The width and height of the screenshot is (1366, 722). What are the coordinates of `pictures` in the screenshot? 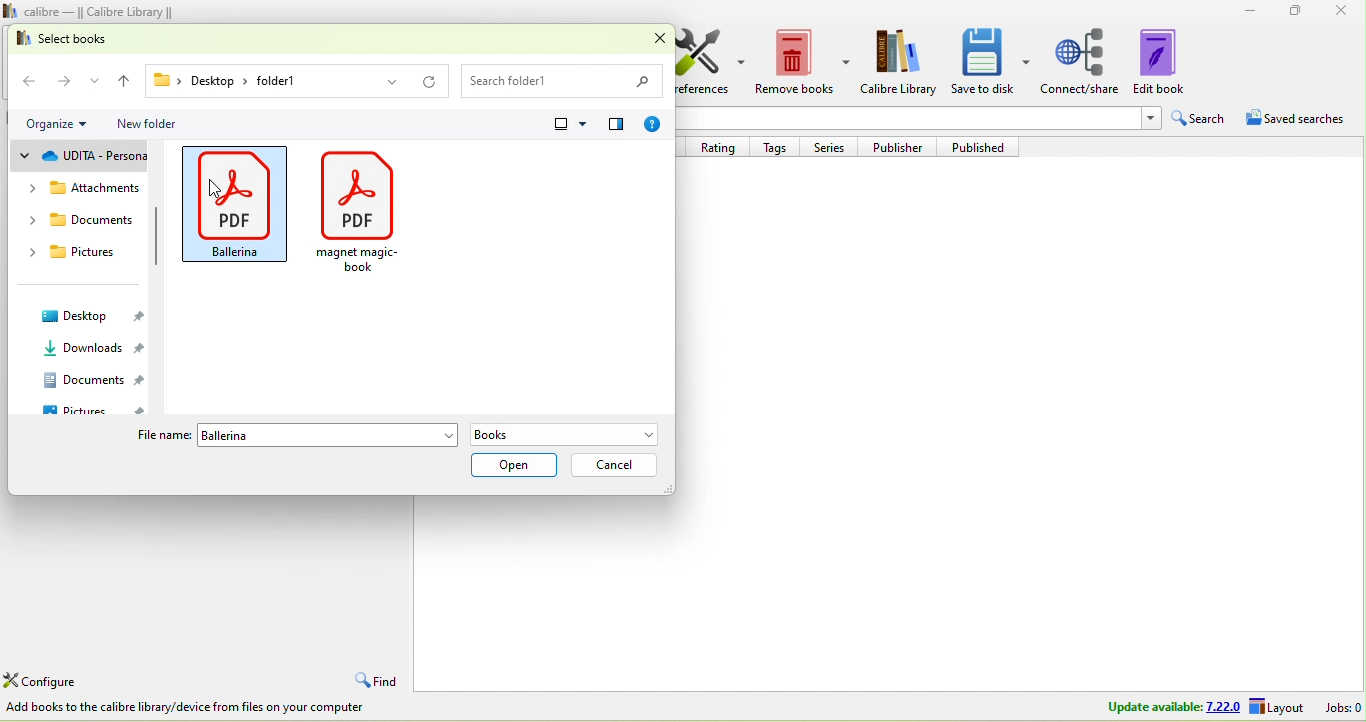 It's located at (91, 411).